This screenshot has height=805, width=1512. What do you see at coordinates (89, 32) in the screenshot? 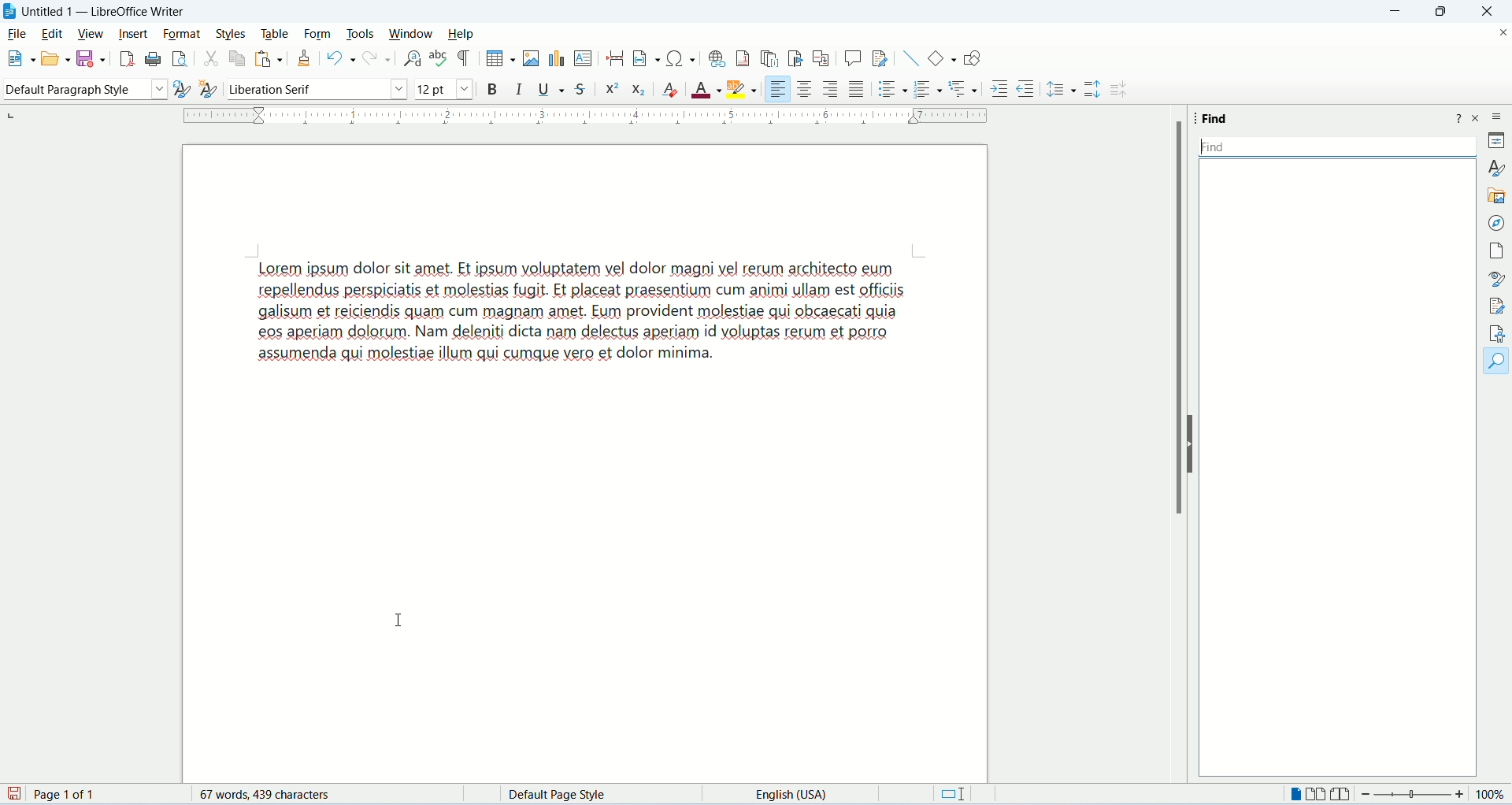
I see `view` at bounding box center [89, 32].